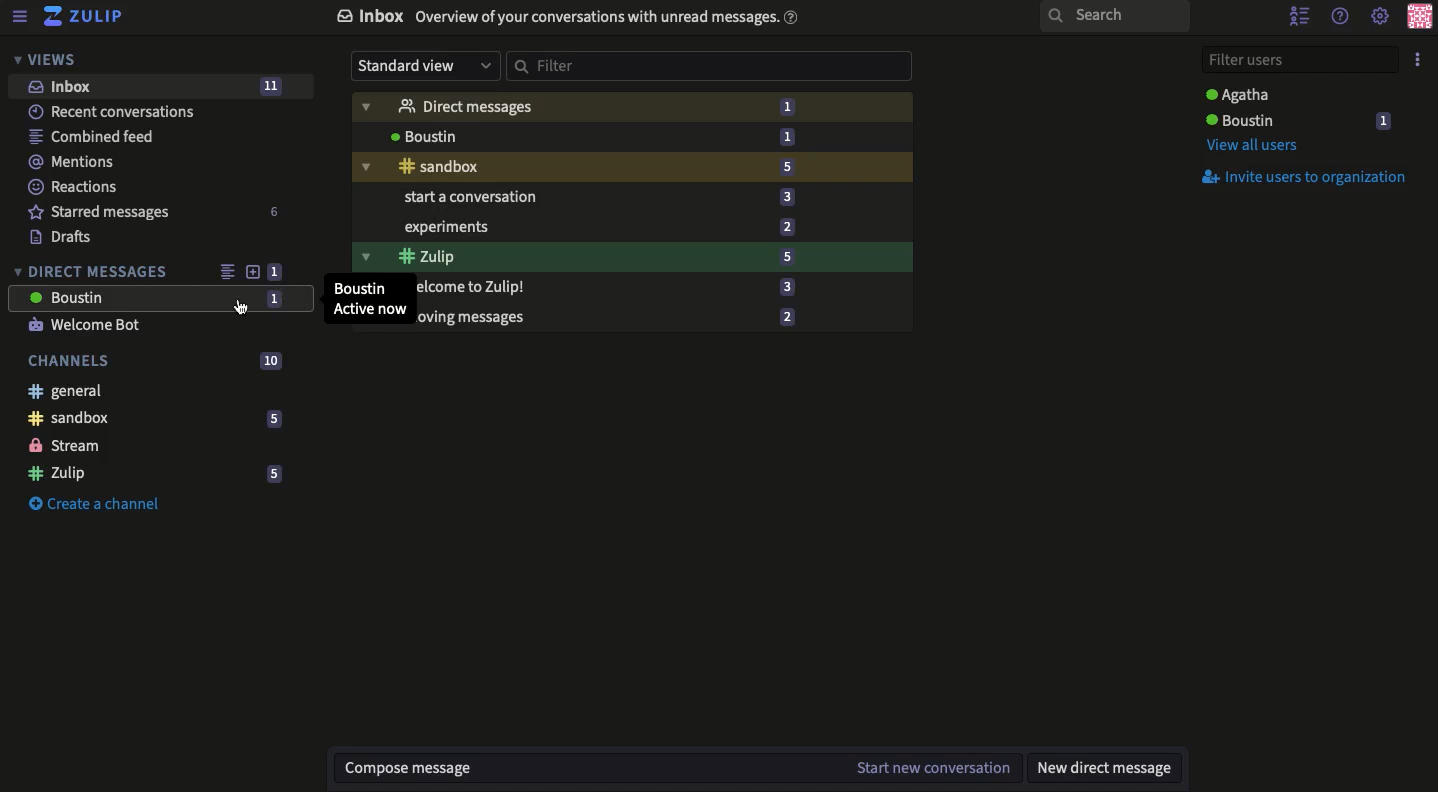 This screenshot has width=1438, height=792. What do you see at coordinates (1380, 17) in the screenshot?
I see `Settings` at bounding box center [1380, 17].